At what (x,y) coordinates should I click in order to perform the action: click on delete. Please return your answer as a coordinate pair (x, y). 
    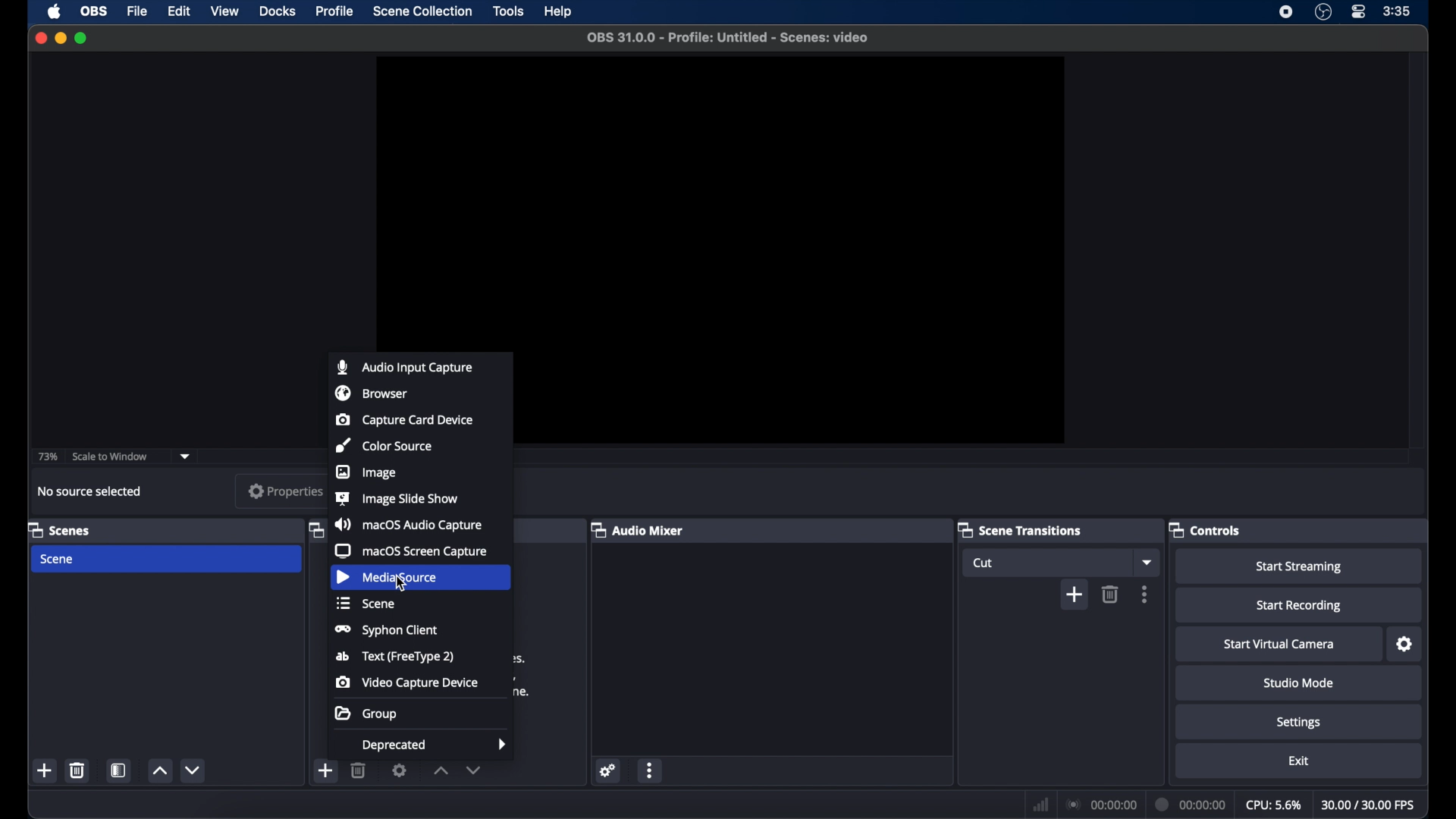
    Looking at the image, I should click on (1111, 594).